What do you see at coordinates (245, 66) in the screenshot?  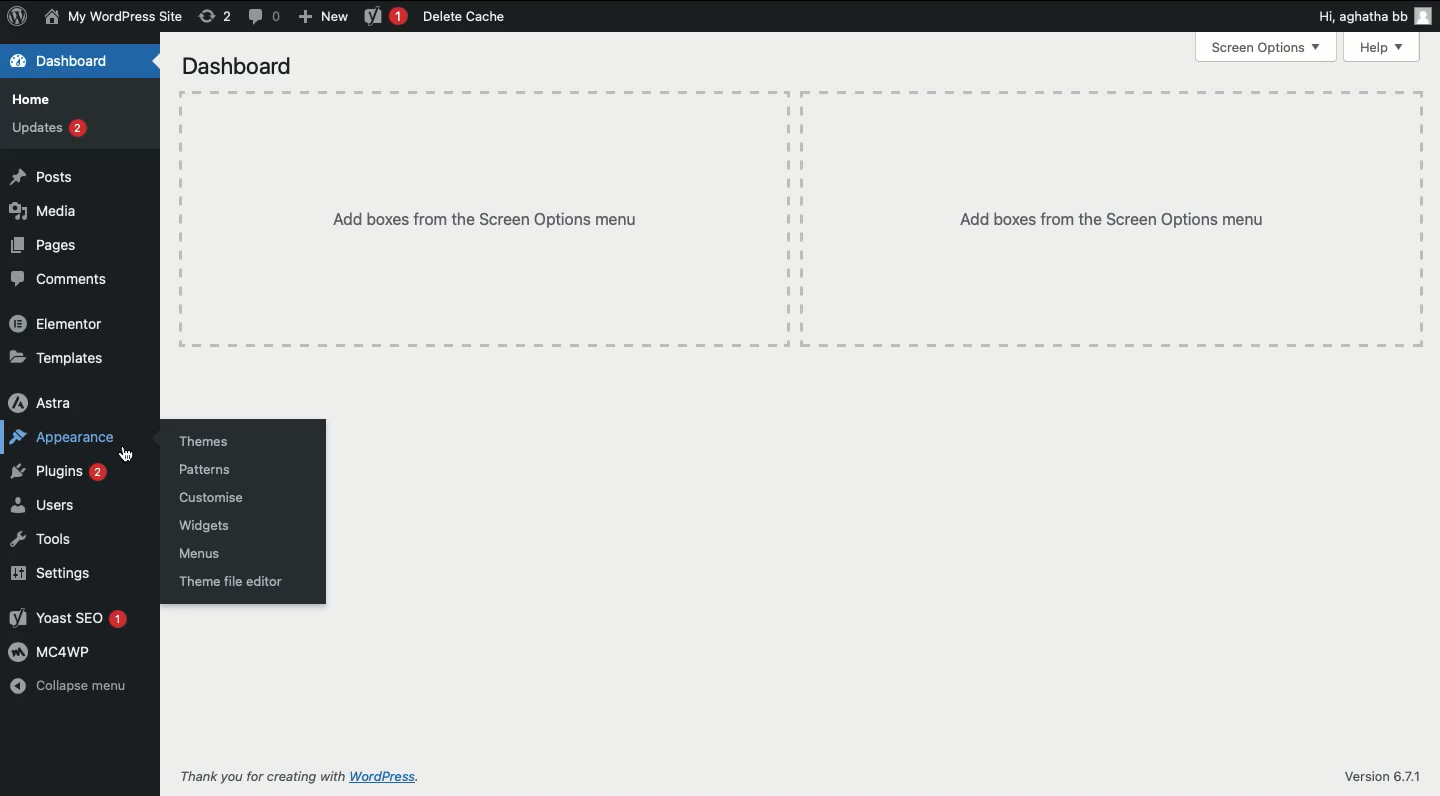 I see `Dashboard` at bounding box center [245, 66].